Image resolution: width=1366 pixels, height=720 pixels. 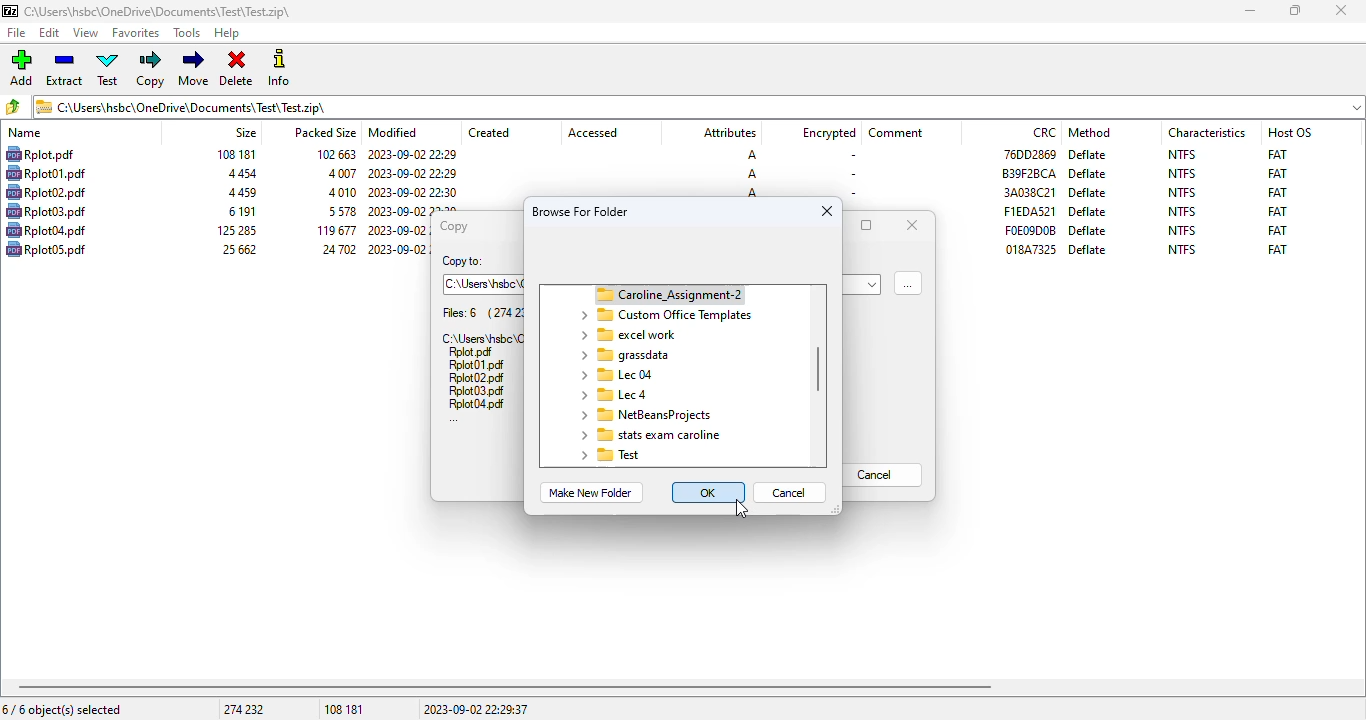 I want to click on packed size, so click(x=340, y=192).